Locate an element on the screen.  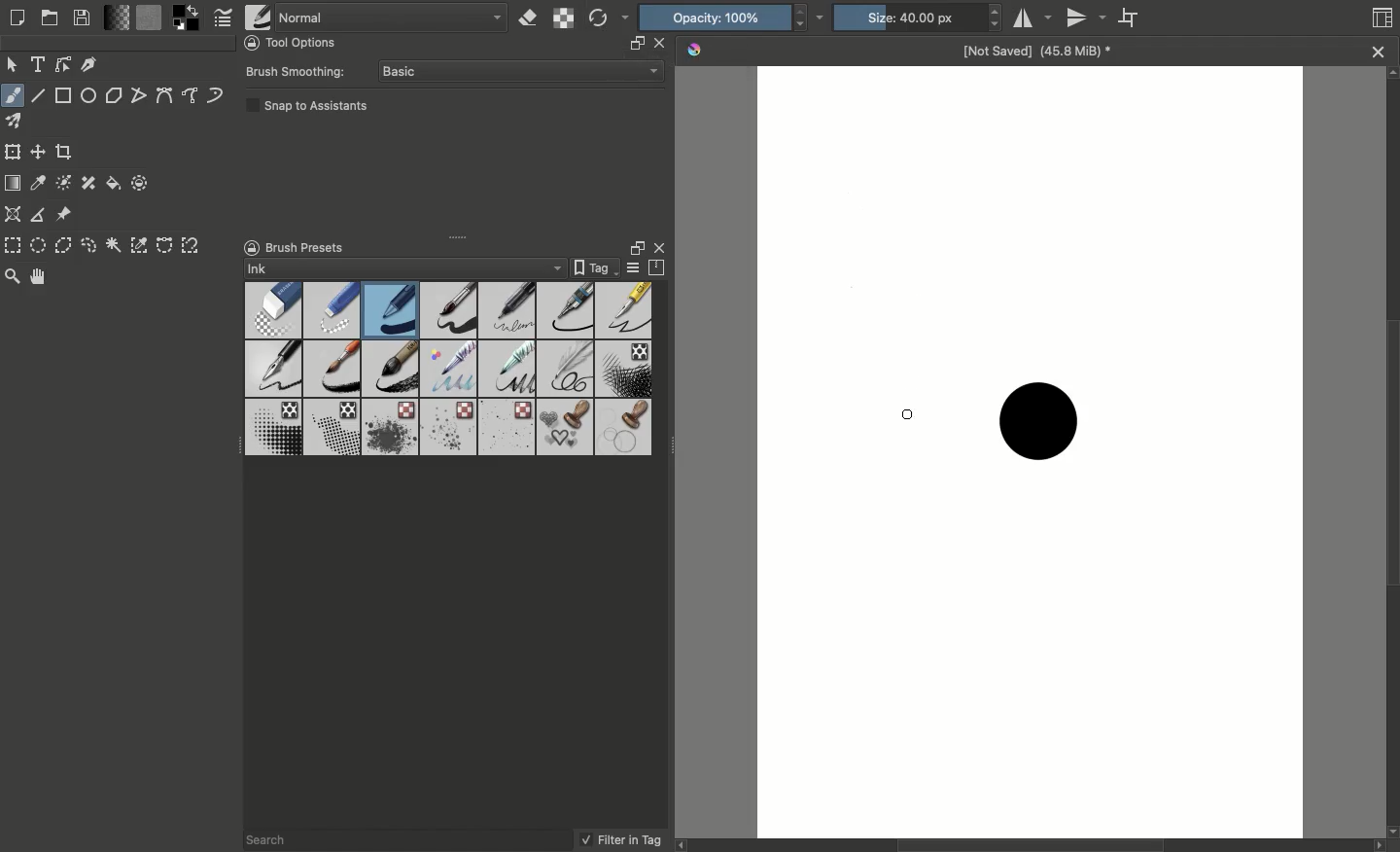
Float docker is located at coordinates (634, 247).